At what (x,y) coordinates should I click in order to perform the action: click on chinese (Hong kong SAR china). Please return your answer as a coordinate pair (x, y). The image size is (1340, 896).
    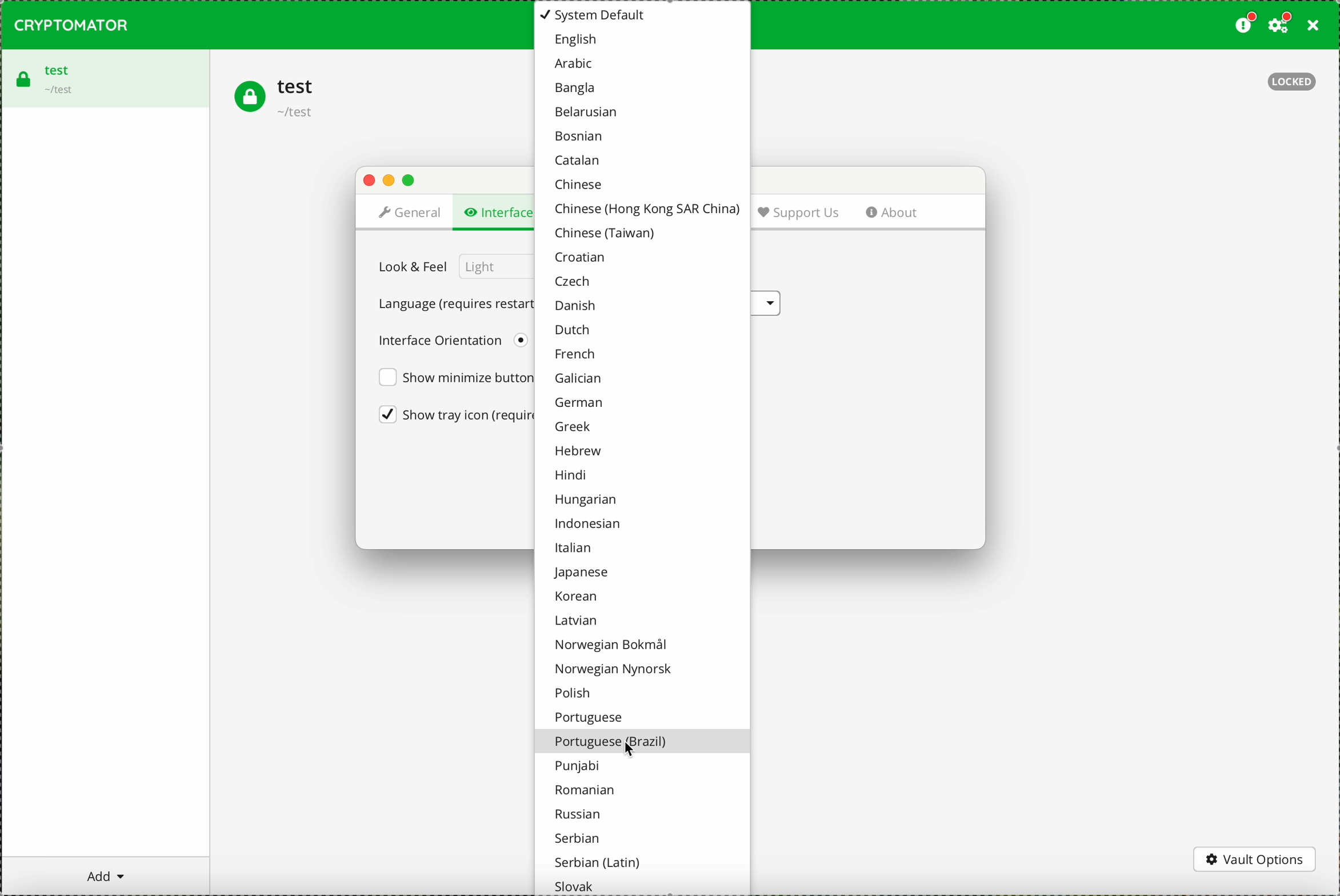
    Looking at the image, I should click on (650, 211).